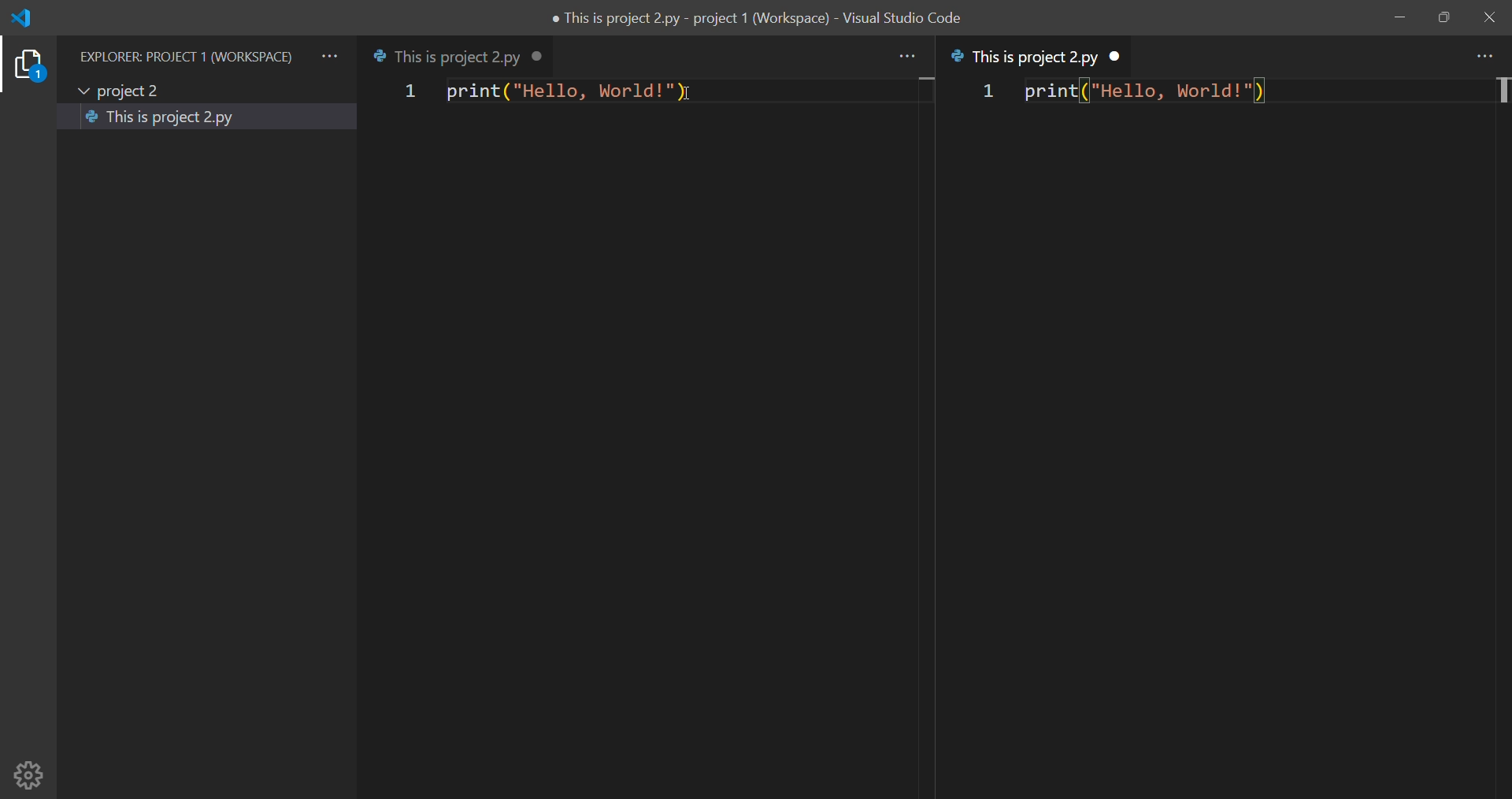 This screenshot has height=799, width=1512. What do you see at coordinates (27, 69) in the screenshot?
I see `explorer` at bounding box center [27, 69].